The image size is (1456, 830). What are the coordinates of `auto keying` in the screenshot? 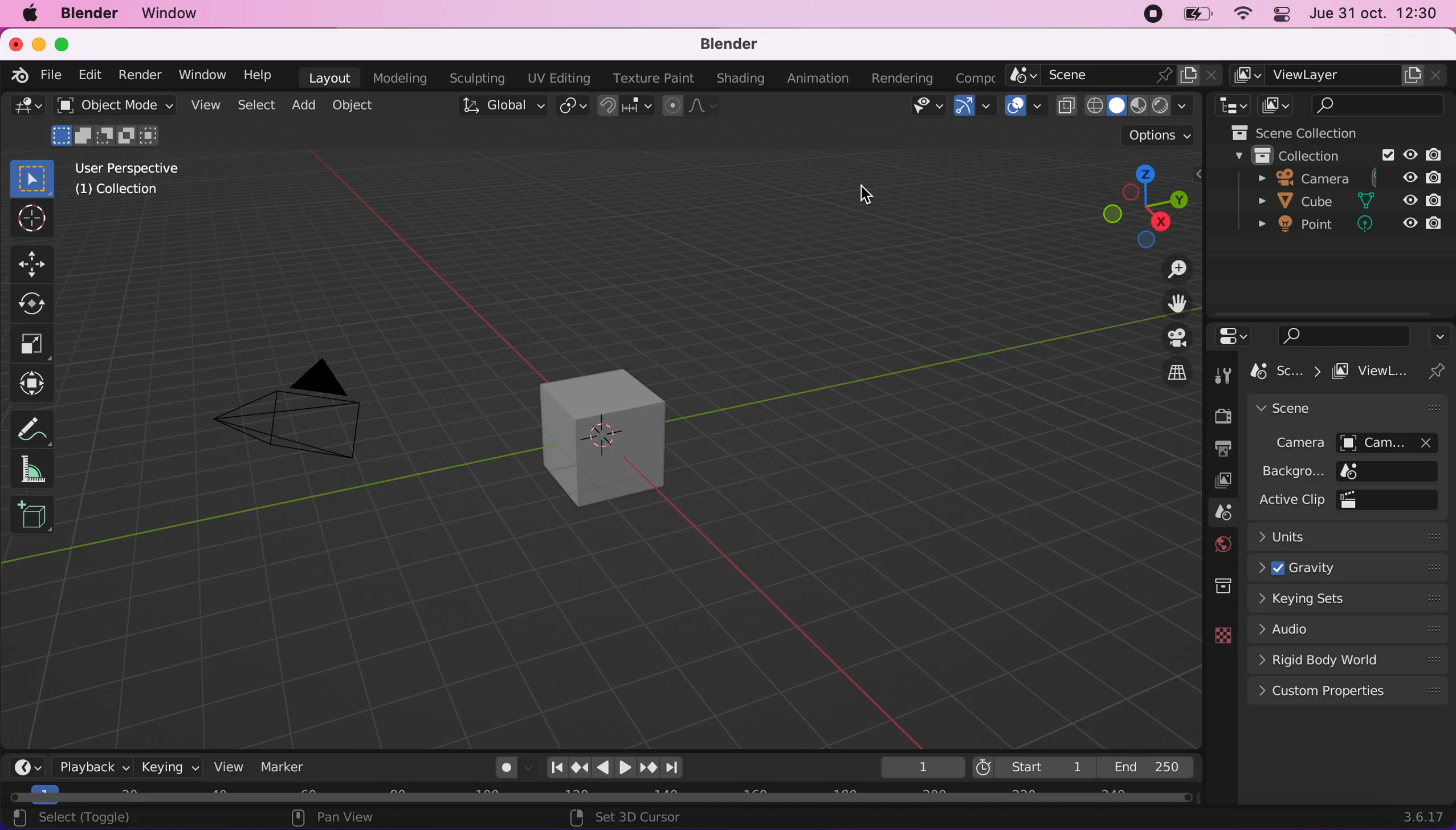 It's located at (500, 765).